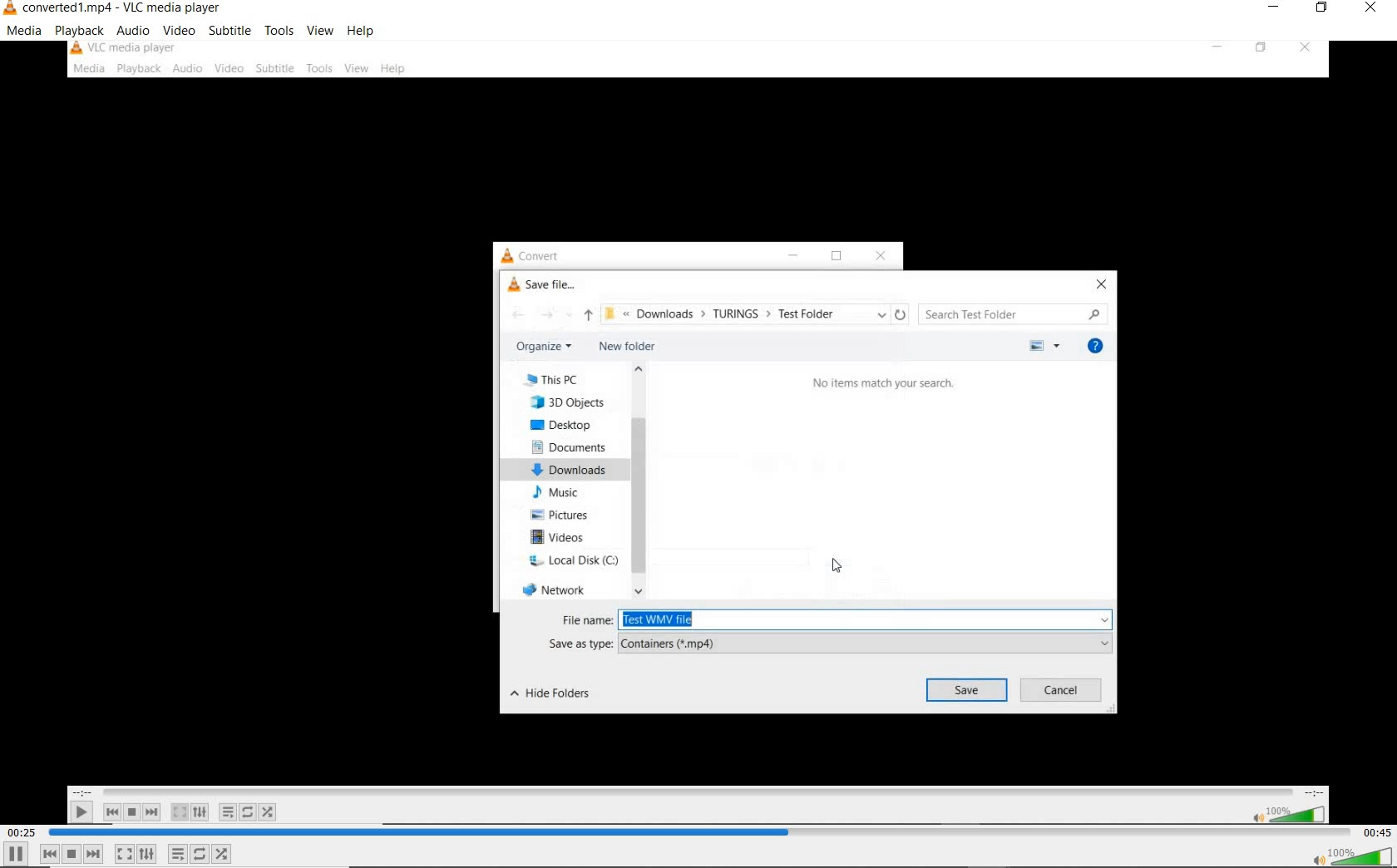 This screenshot has height=868, width=1397. What do you see at coordinates (72, 853) in the screenshot?
I see `stop` at bounding box center [72, 853].